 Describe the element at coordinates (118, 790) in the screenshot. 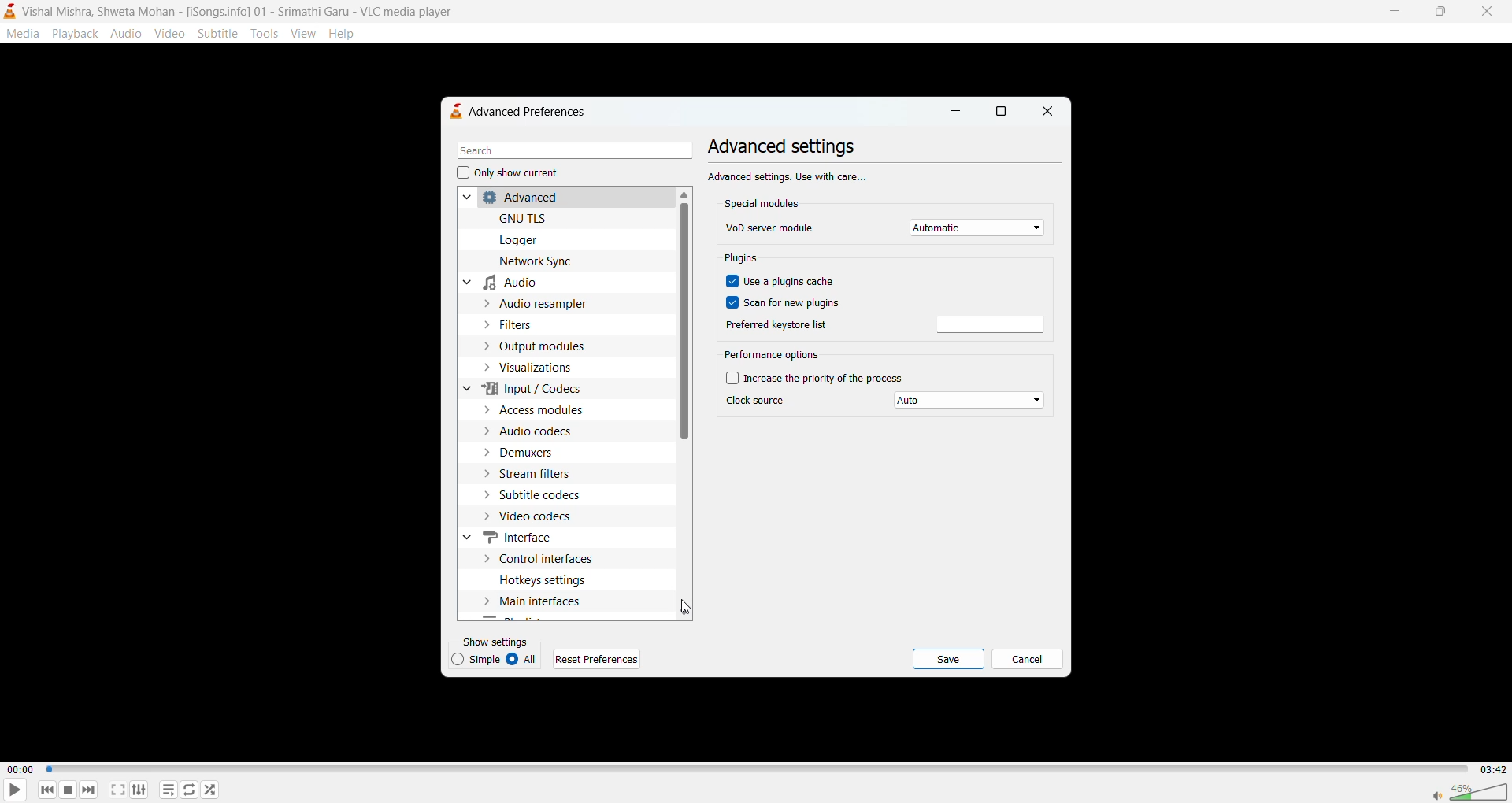

I see `fullscreen` at that location.